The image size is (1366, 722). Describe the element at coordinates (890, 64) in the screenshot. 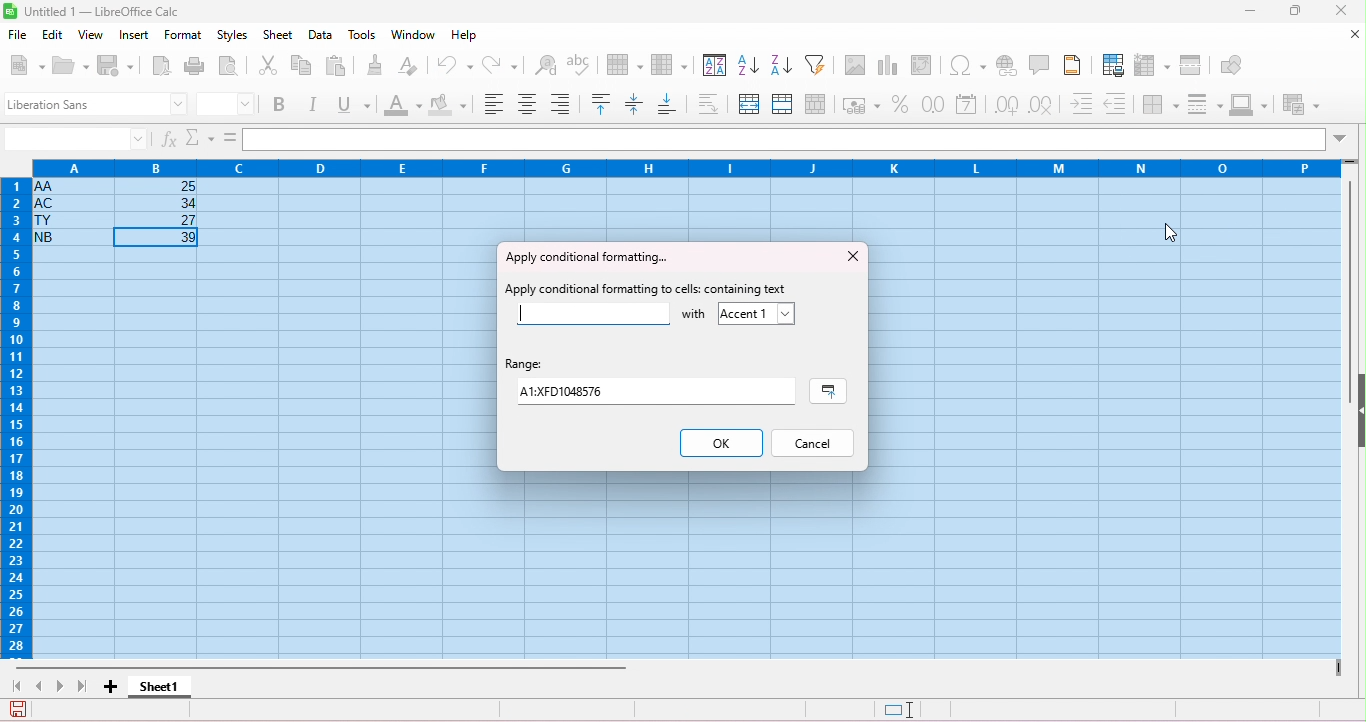

I see `insert chart` at that location.